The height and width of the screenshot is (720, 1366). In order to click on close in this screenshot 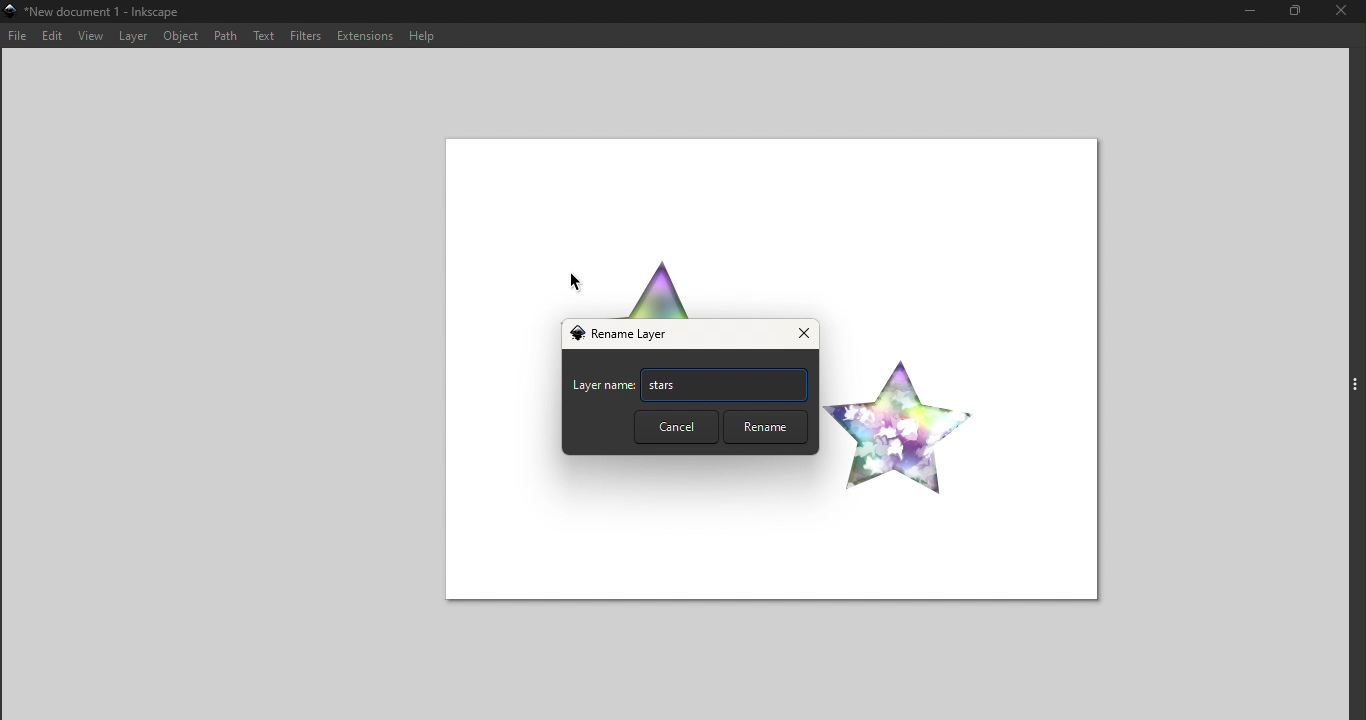, I will do `click(1345, 13)`.